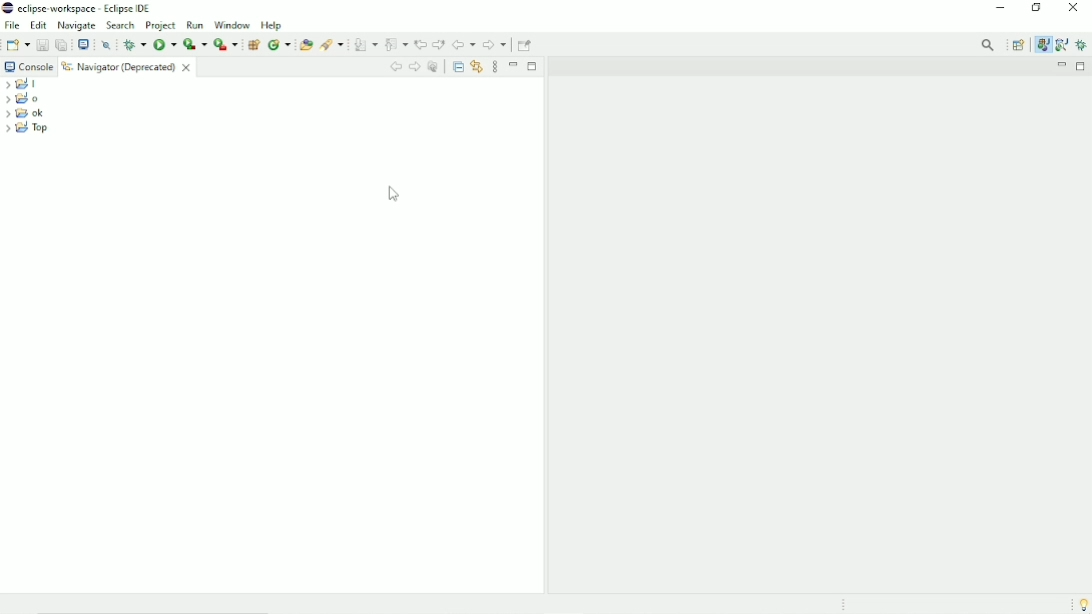 This screenshot has width=1092, height=614. Describe the element at coordinates (365, 45) in the screenshot. I see `Next Annotation` at that location.